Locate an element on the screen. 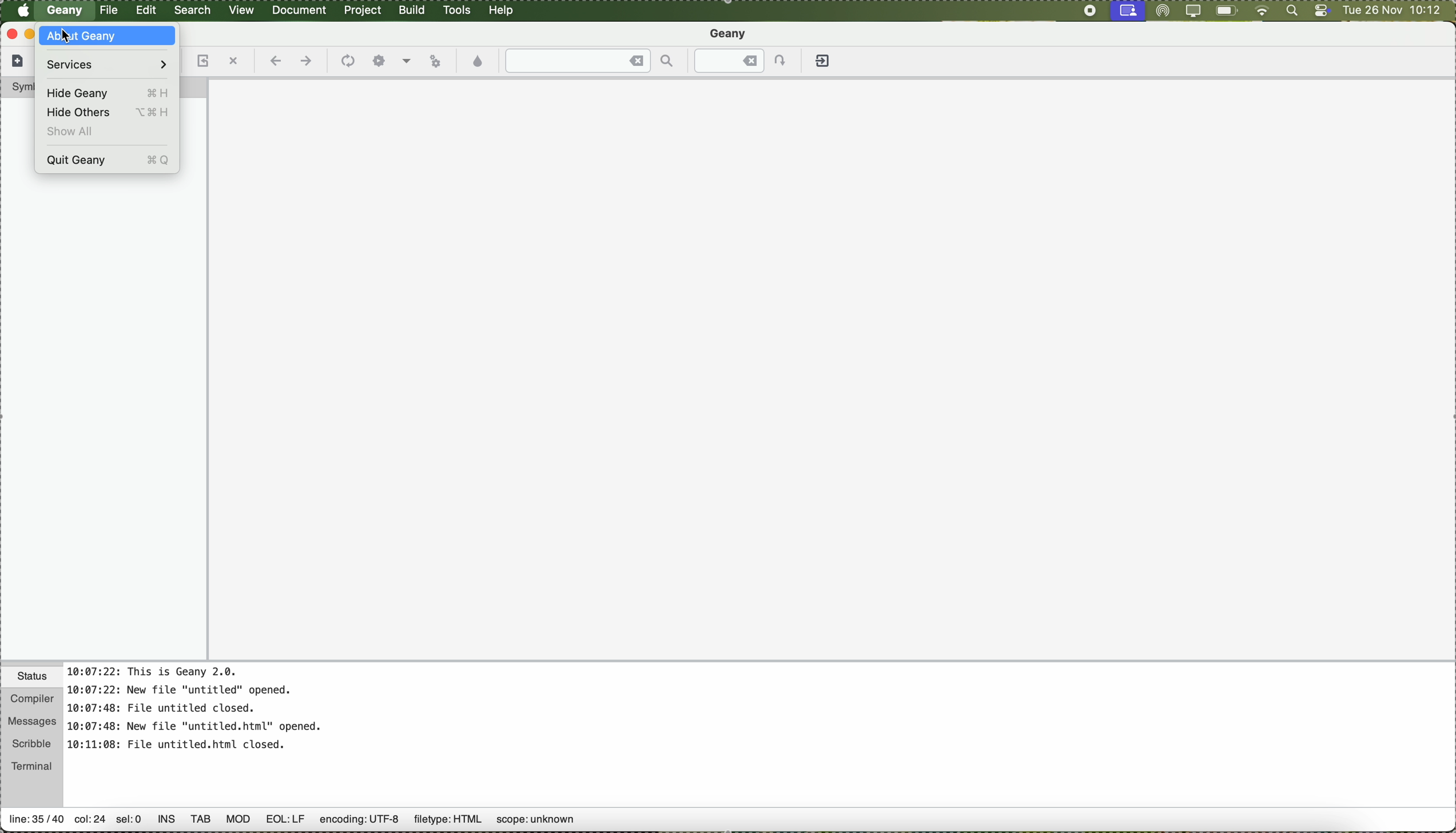 This screenshot has width=1456, height=833. search is located at coordinates (196, 11).